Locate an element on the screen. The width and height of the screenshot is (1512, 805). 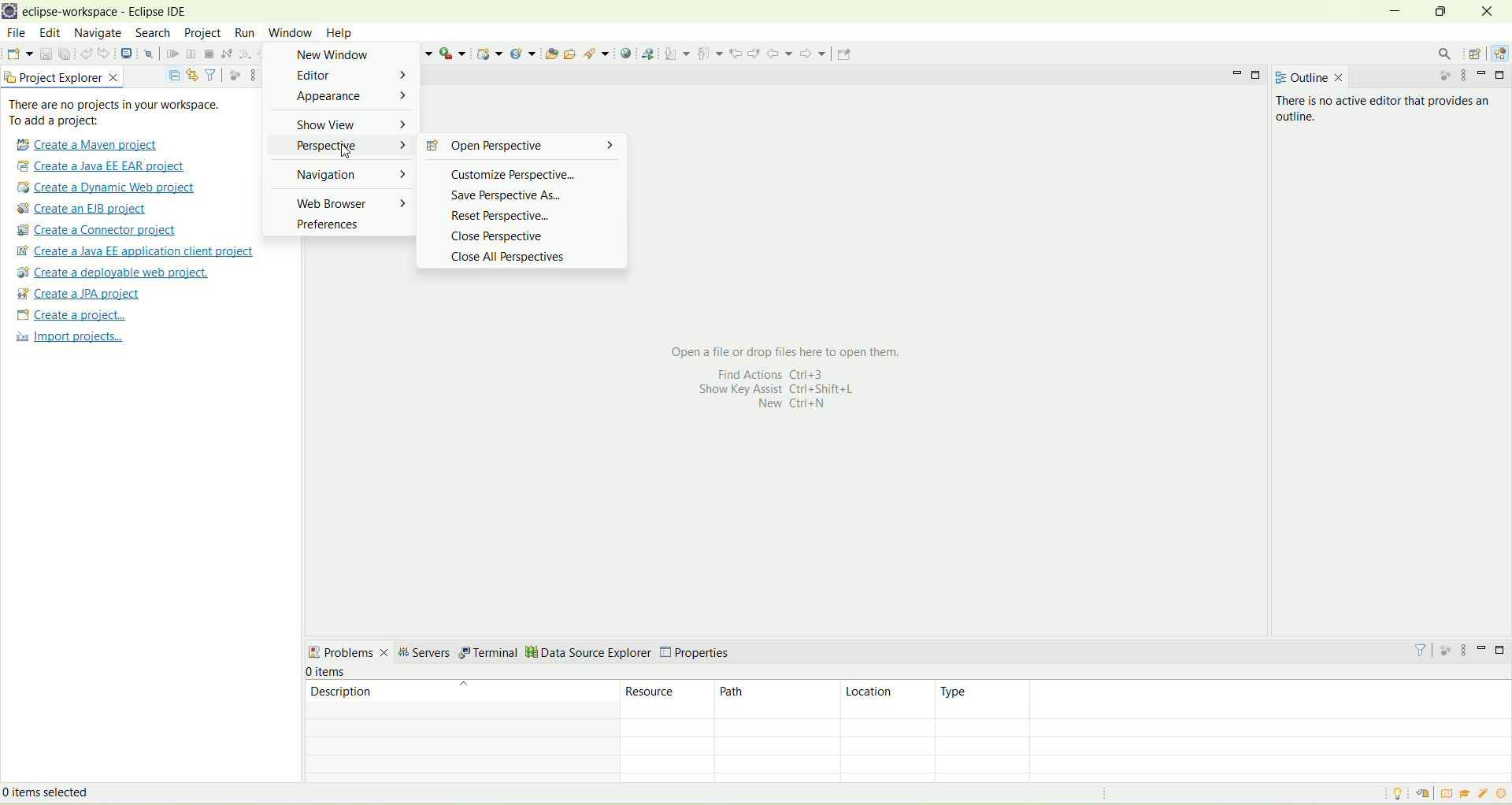
project is located at coordinates (202, 33).